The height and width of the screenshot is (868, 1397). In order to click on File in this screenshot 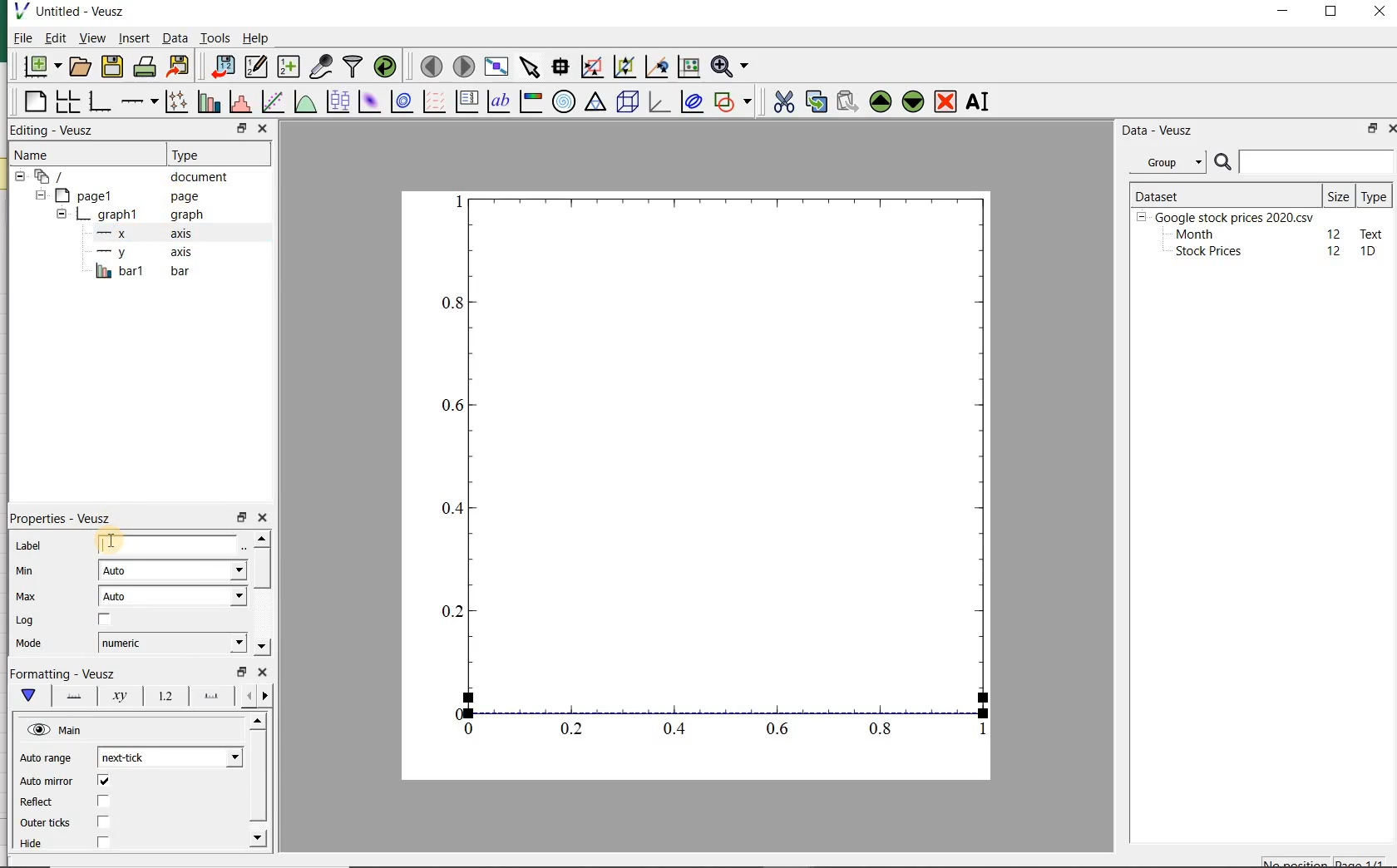, I will do `click(18, 40)`.